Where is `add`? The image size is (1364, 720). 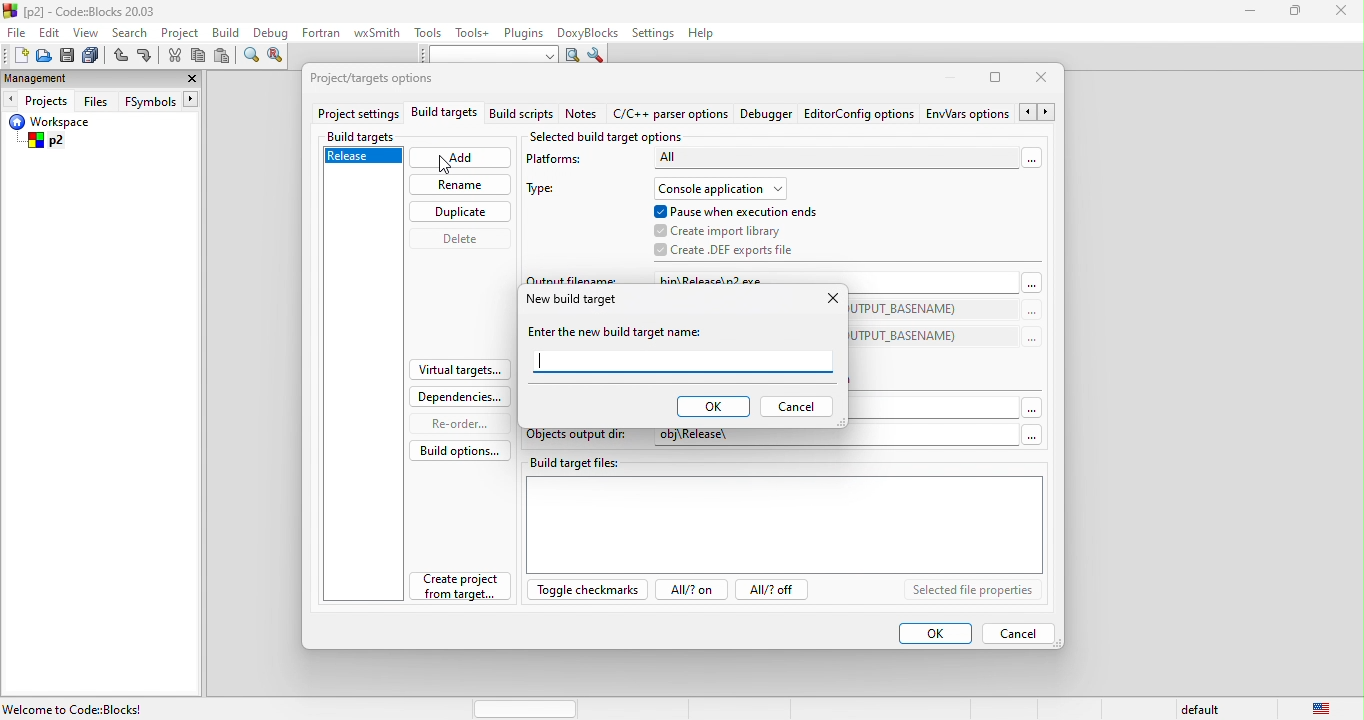 add is located at coordinates (463, 158).